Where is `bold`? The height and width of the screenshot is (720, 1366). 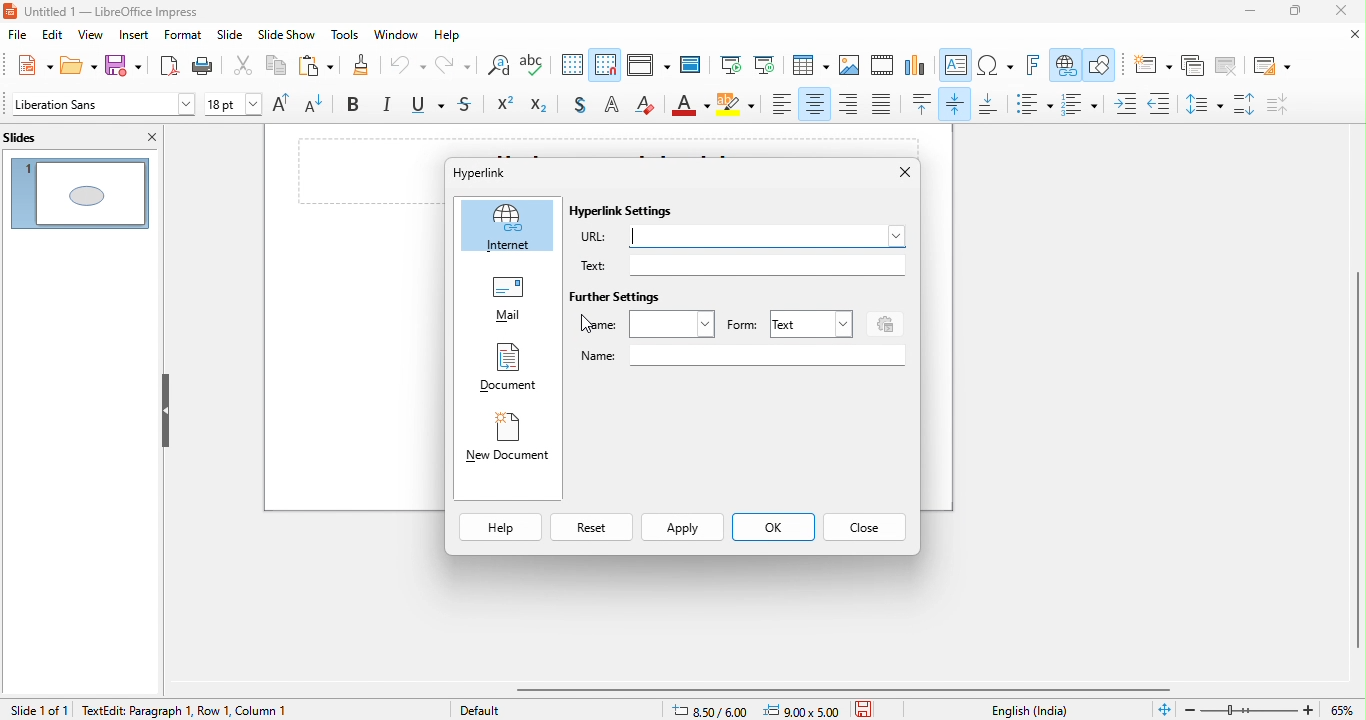 bold is located at coordinates (357, 106).